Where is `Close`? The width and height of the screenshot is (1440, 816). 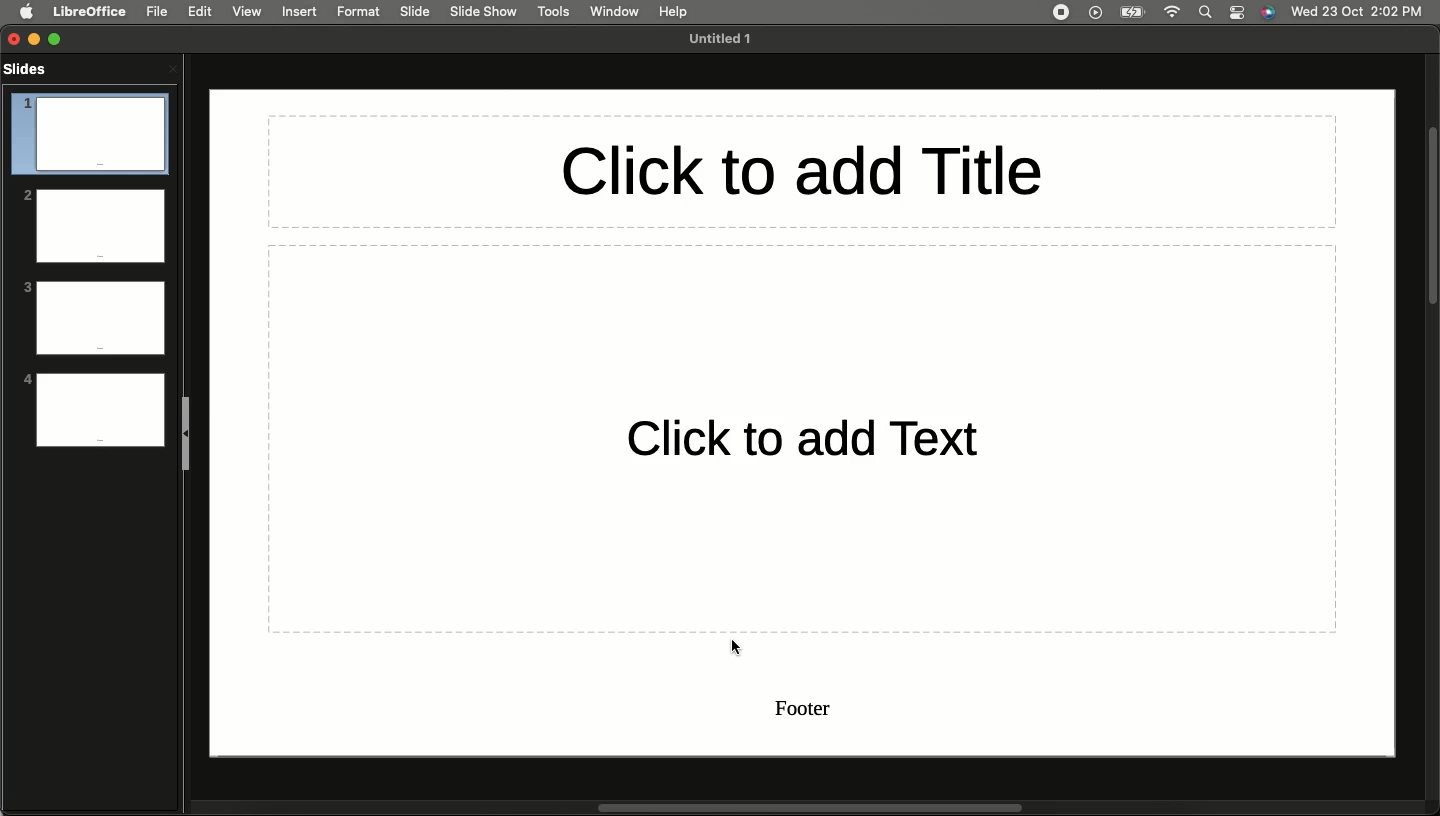 Close is located at coordinates (172, 68).